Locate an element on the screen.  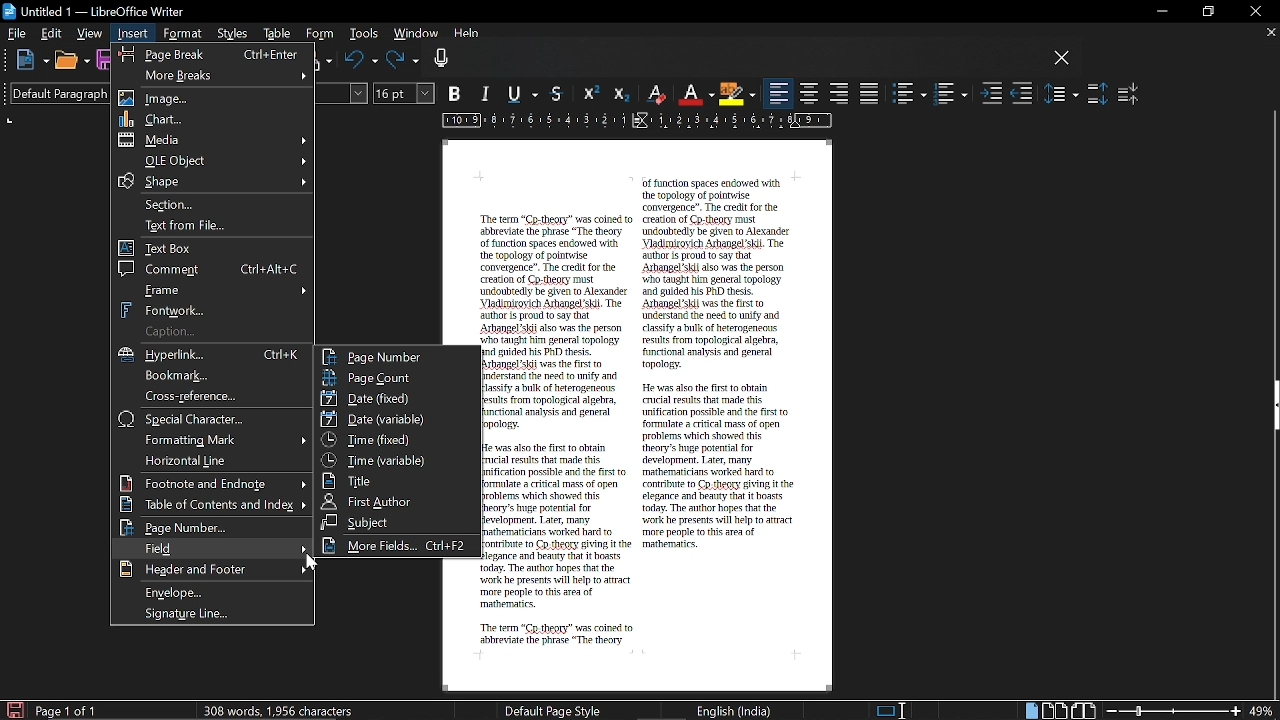
Open is located at coordinates (71, 62).